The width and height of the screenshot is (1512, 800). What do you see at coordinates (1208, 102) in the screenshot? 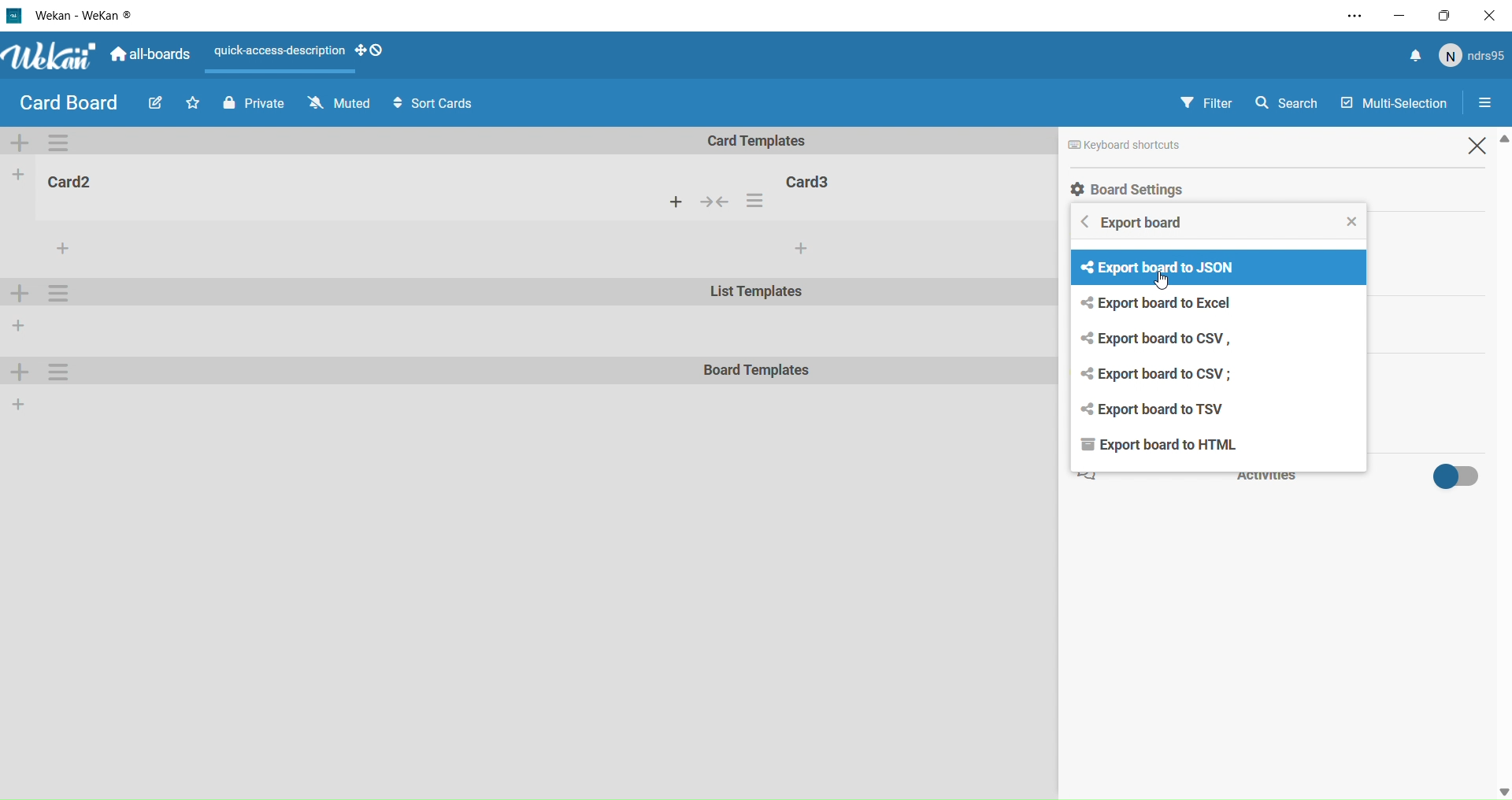
I see `Filtrar` at bounding box center [1208, 102].